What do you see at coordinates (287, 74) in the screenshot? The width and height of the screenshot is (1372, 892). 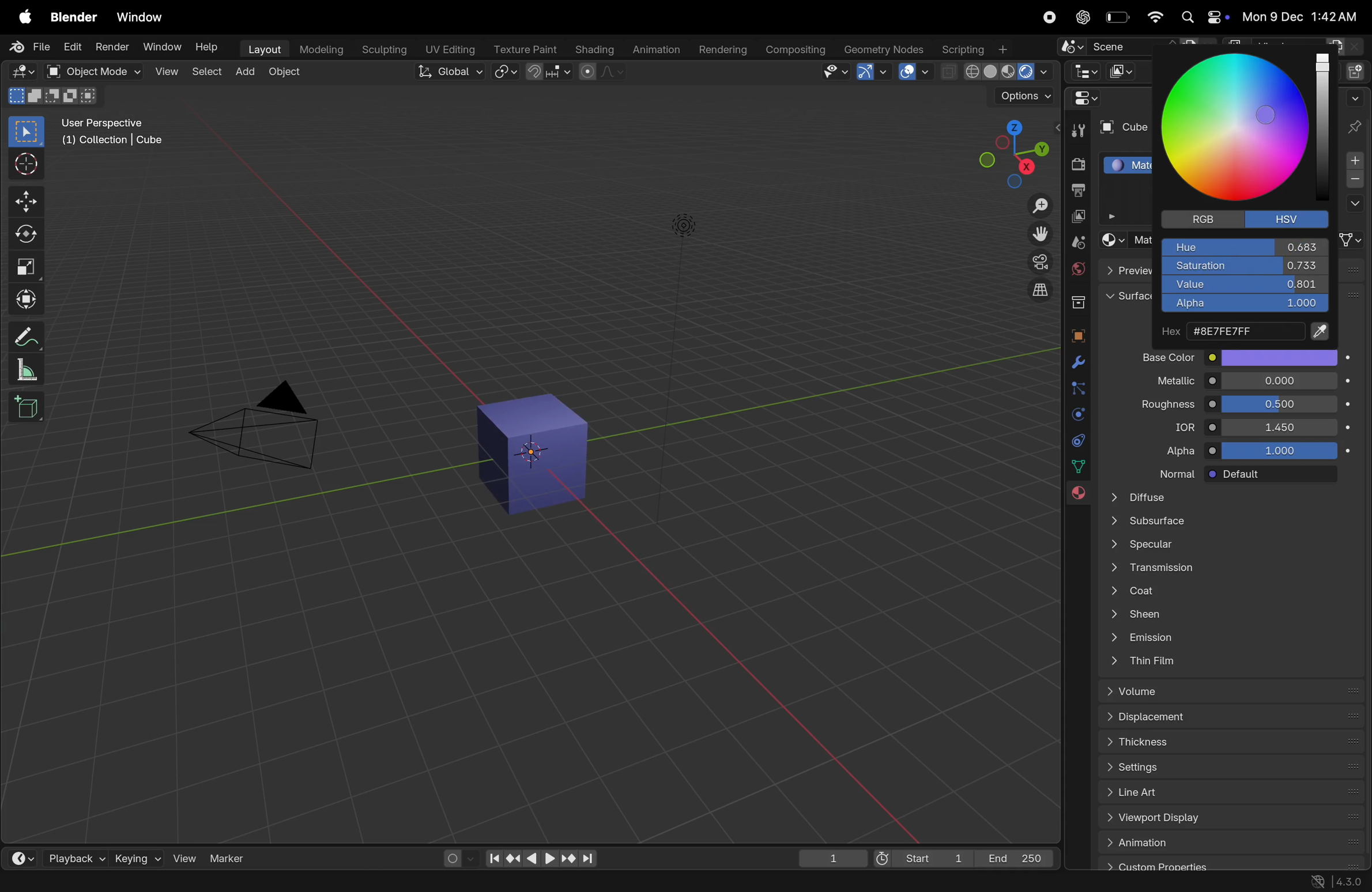 I see `object mode` at bounding box center [287, 74].